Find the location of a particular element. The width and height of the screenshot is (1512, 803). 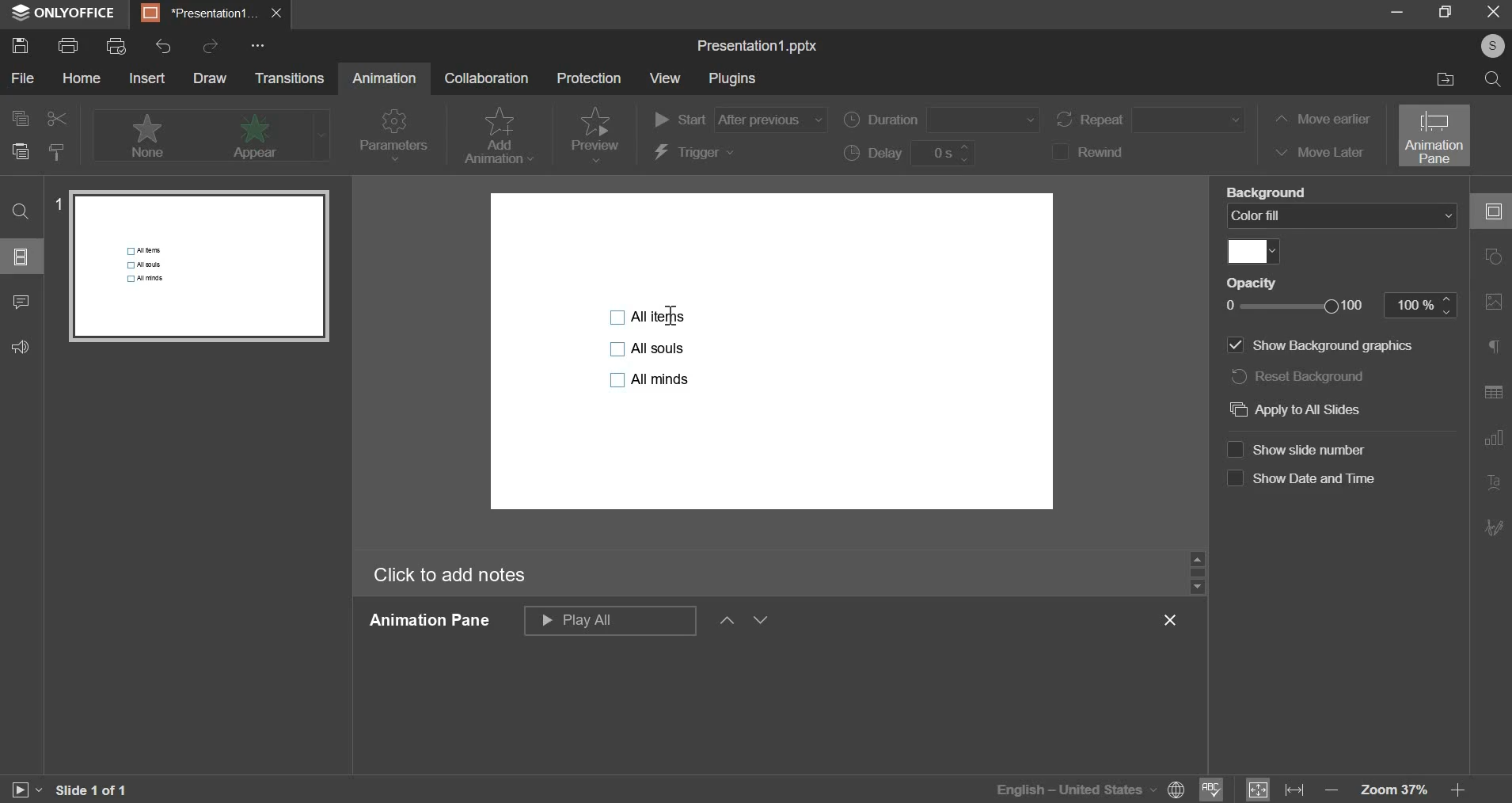

move earlier is located at coordinates (1320, 120).